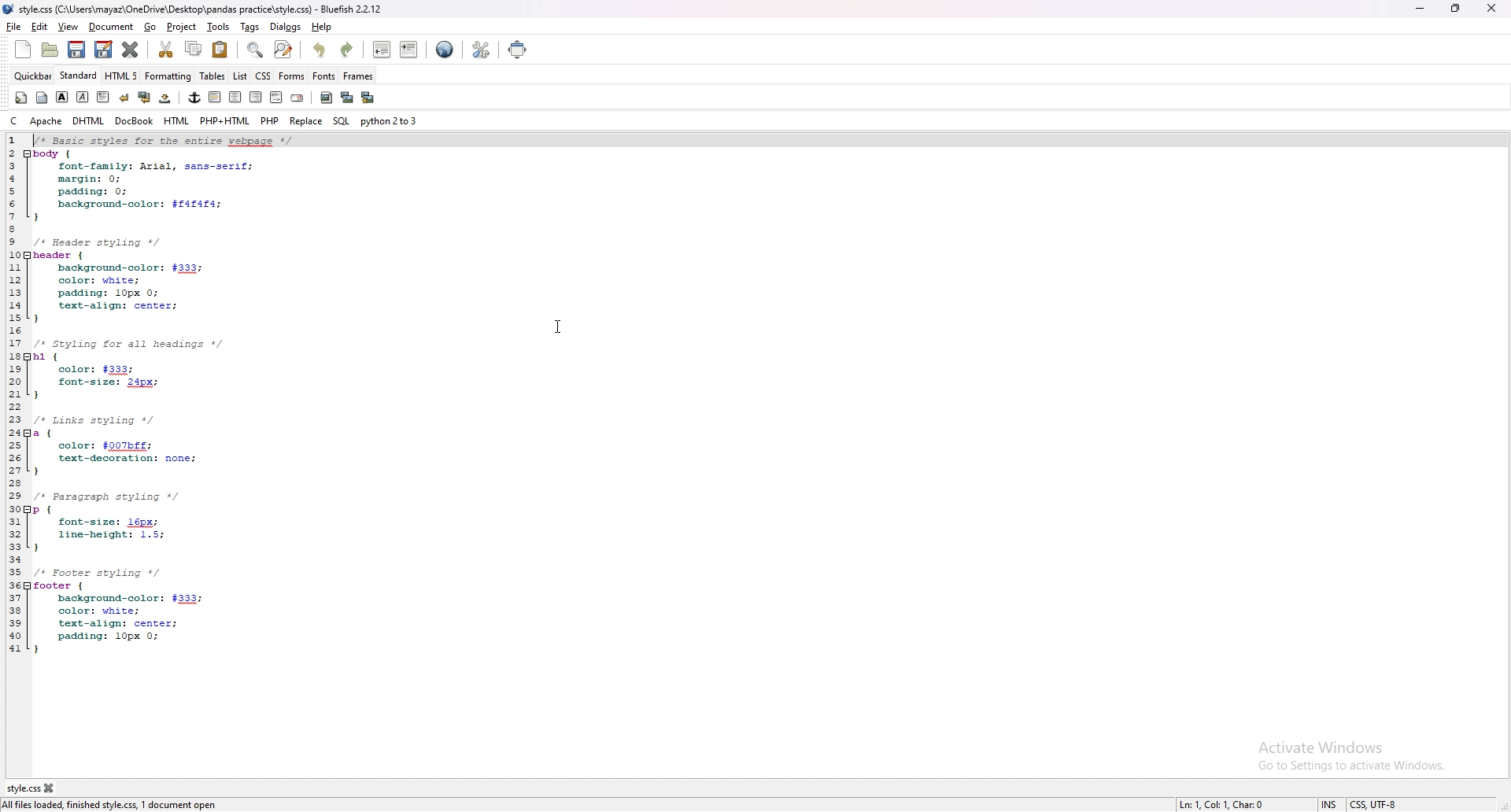  What do you see at coordinates (14, 26) in the screenshot?
I see `file` at bounding box center [14, 26].